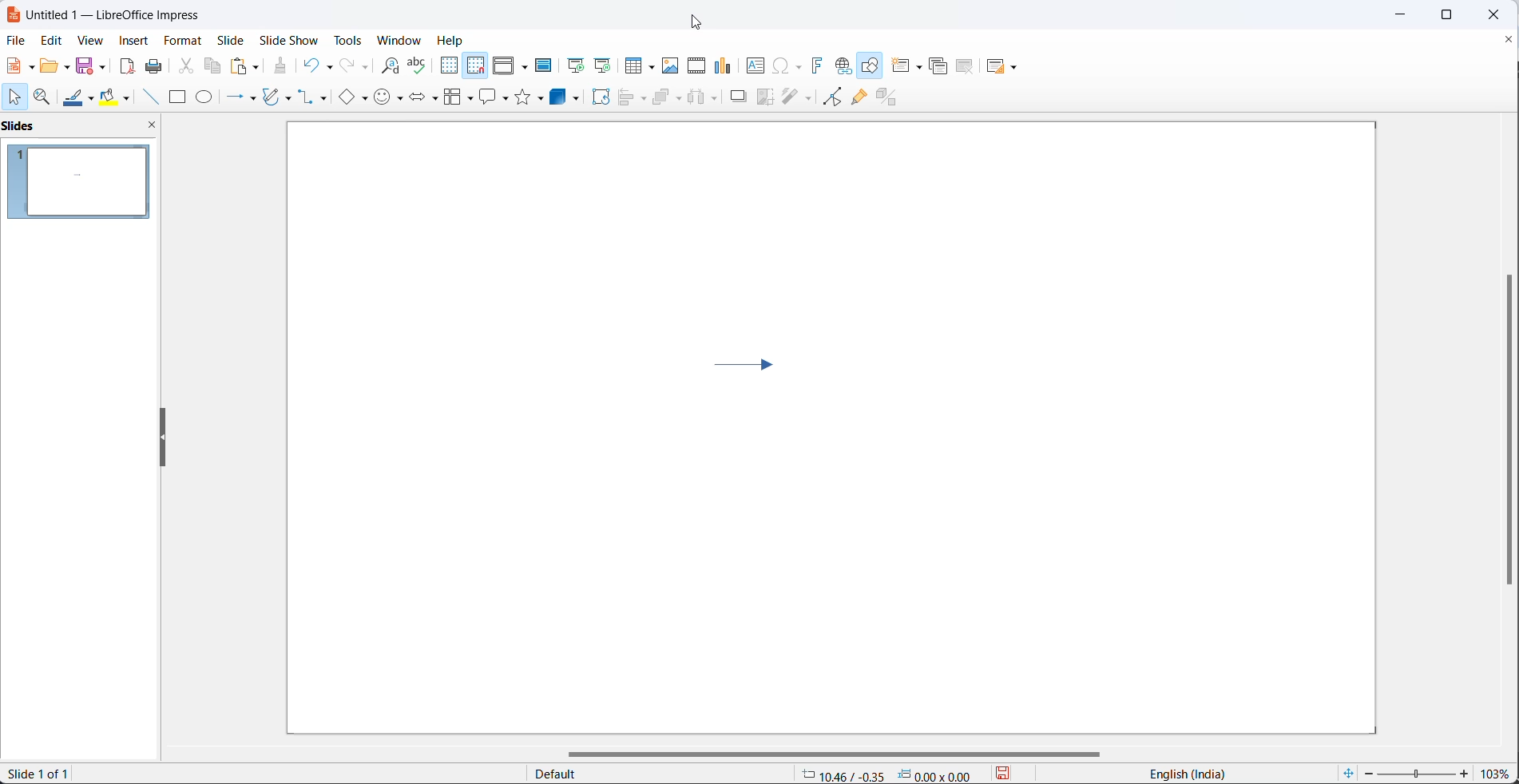 The image size is (1519, 784). I want to click on zoom percentage, so click(1499, 771).